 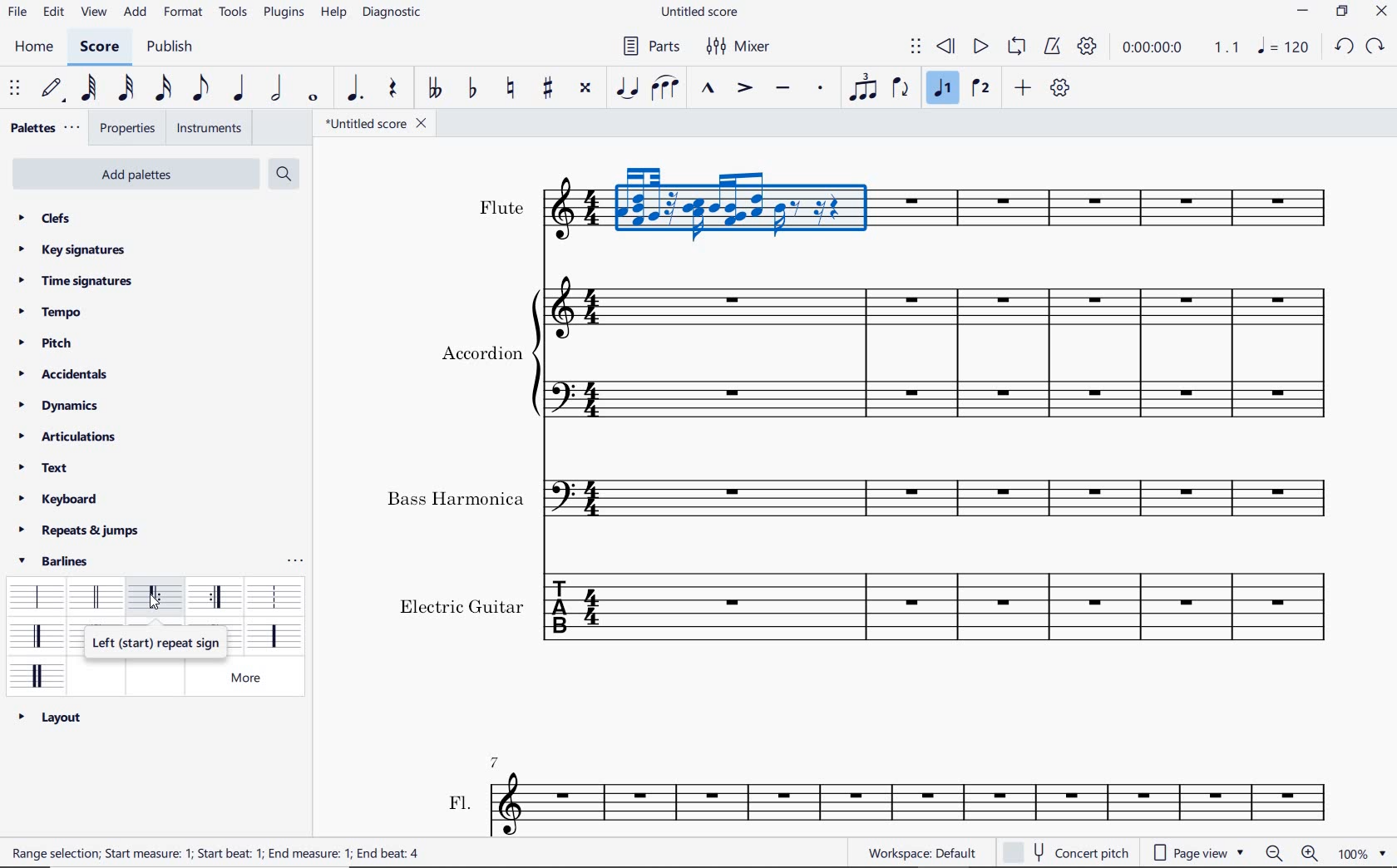 What do you see at coordinates (79, 530) in the screenshot?
I see `repeats & jumps` at bounding box center [79, 530].